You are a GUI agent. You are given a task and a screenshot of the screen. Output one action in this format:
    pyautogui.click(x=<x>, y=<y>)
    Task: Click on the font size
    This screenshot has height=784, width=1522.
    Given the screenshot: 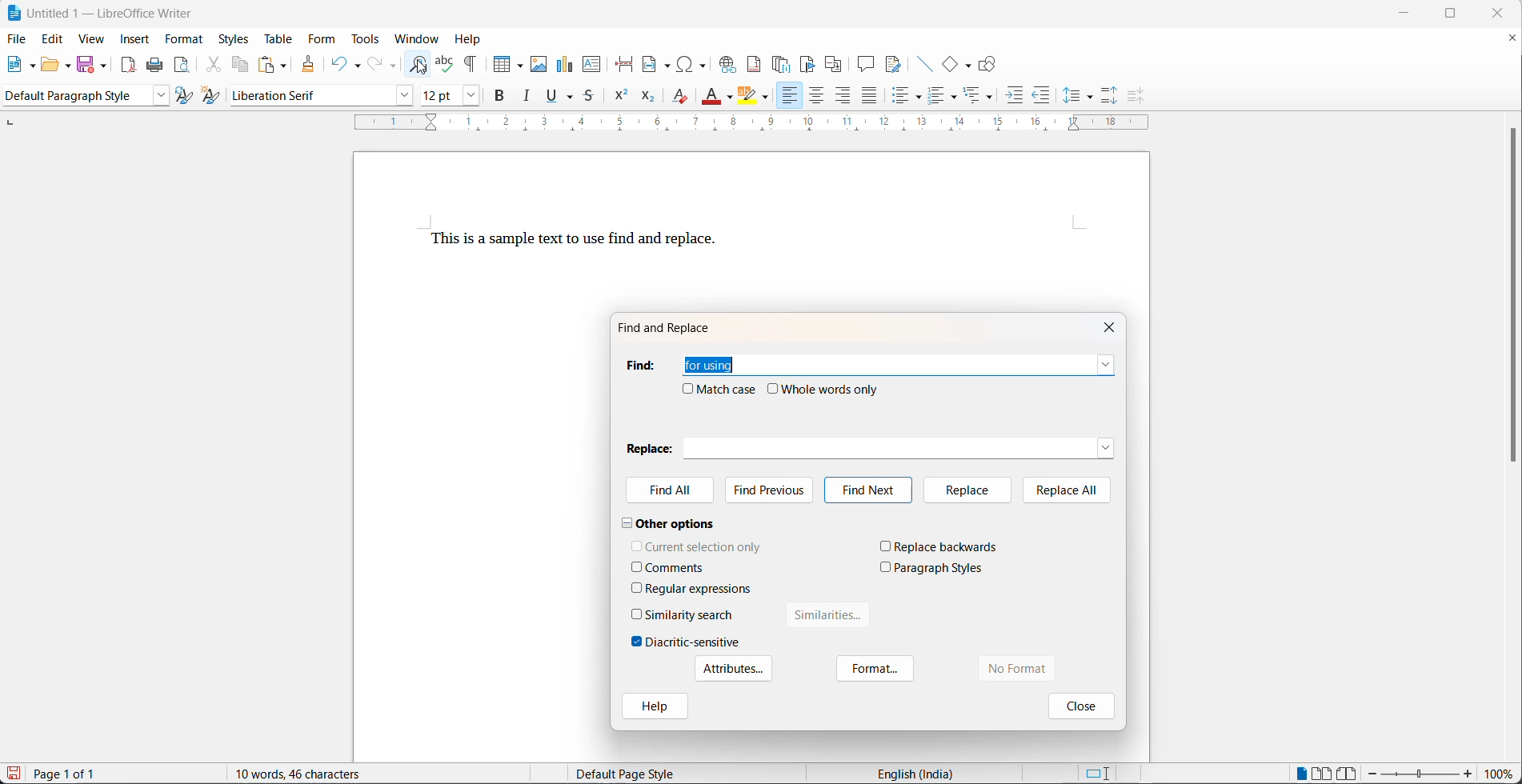 What is the action you would take?
    pyautogui.click(x=436, y=98)
    